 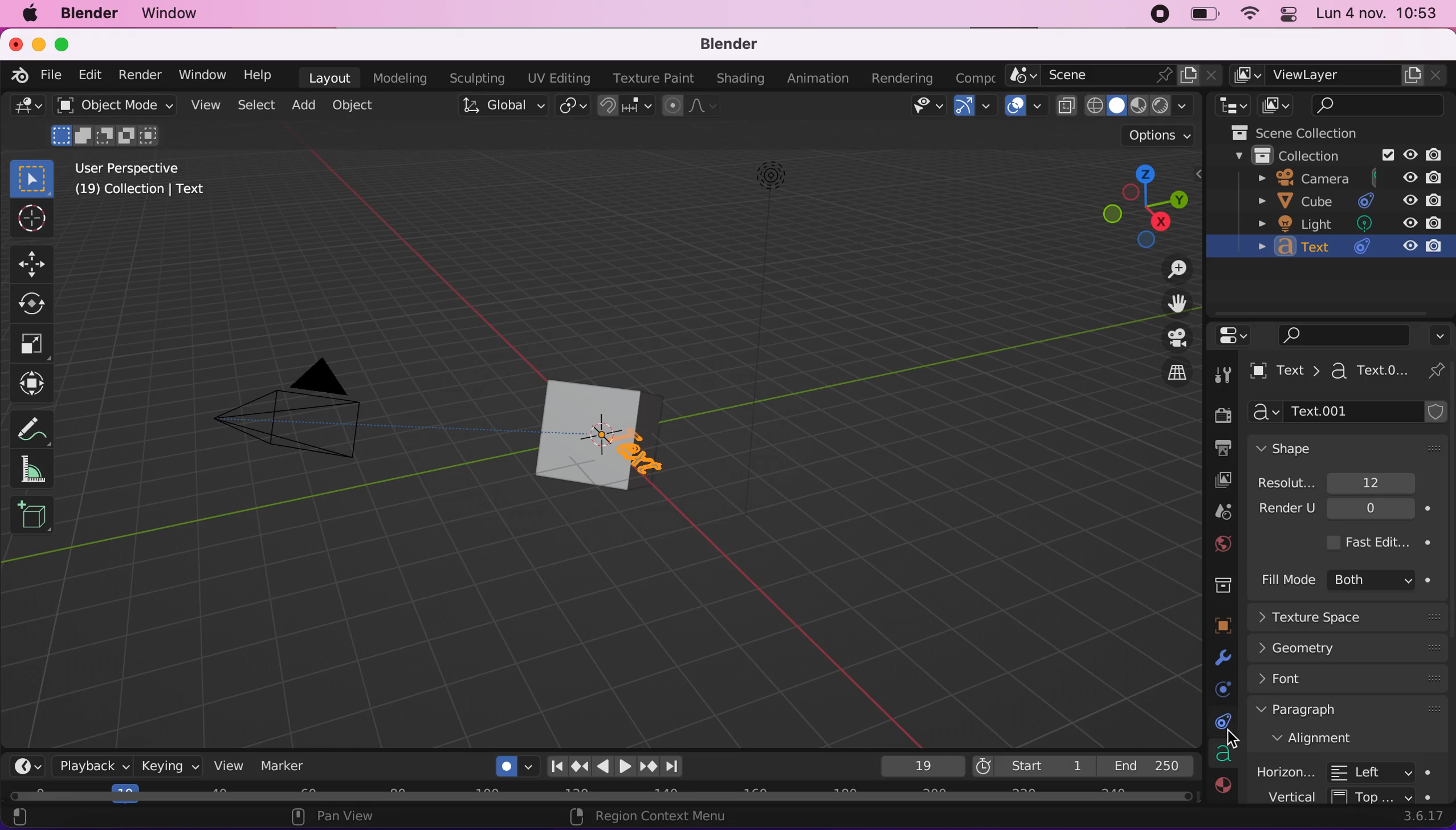 What do you see at coordinates (1031, 766) in the screenshot?
I see `start 1` at bounding box center [1031, 766].